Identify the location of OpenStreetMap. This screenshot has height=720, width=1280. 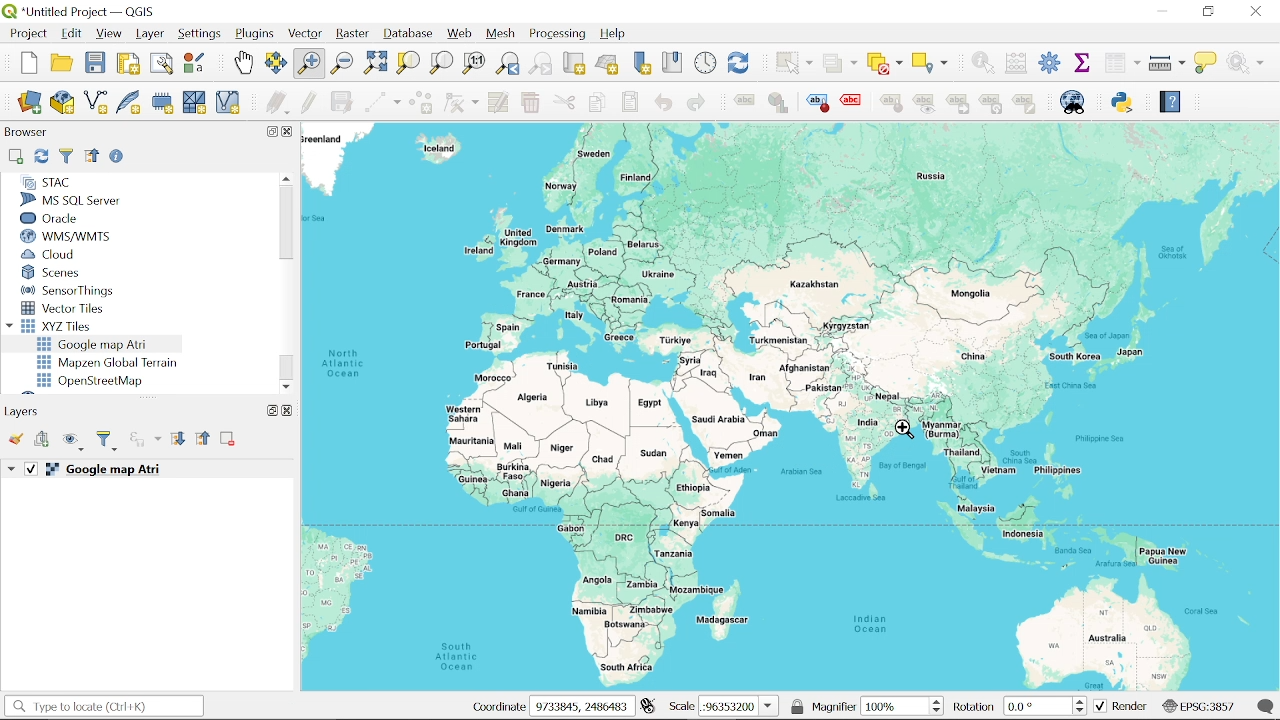
(93, 381).